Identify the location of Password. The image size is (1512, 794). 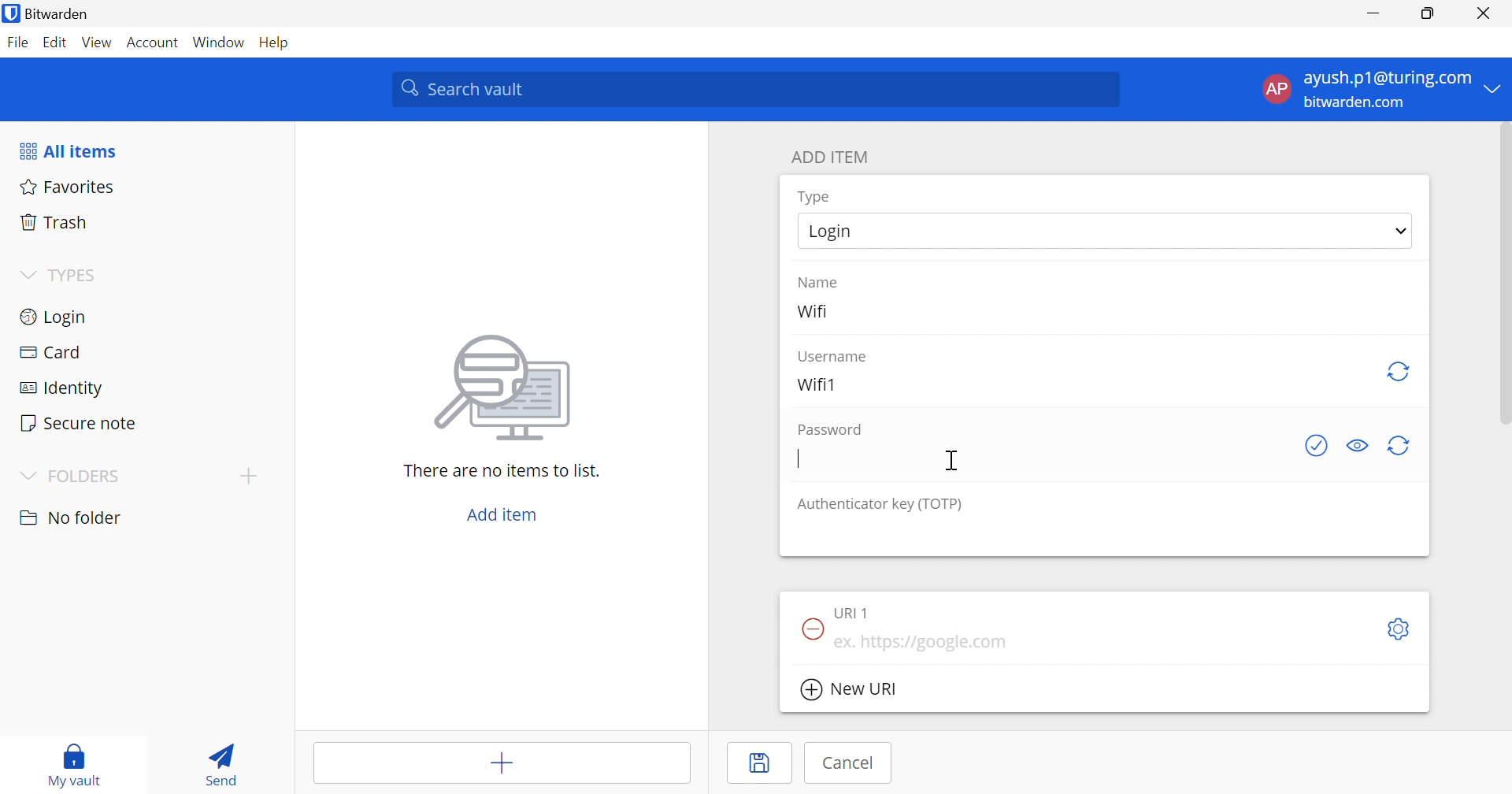
(835, 429).